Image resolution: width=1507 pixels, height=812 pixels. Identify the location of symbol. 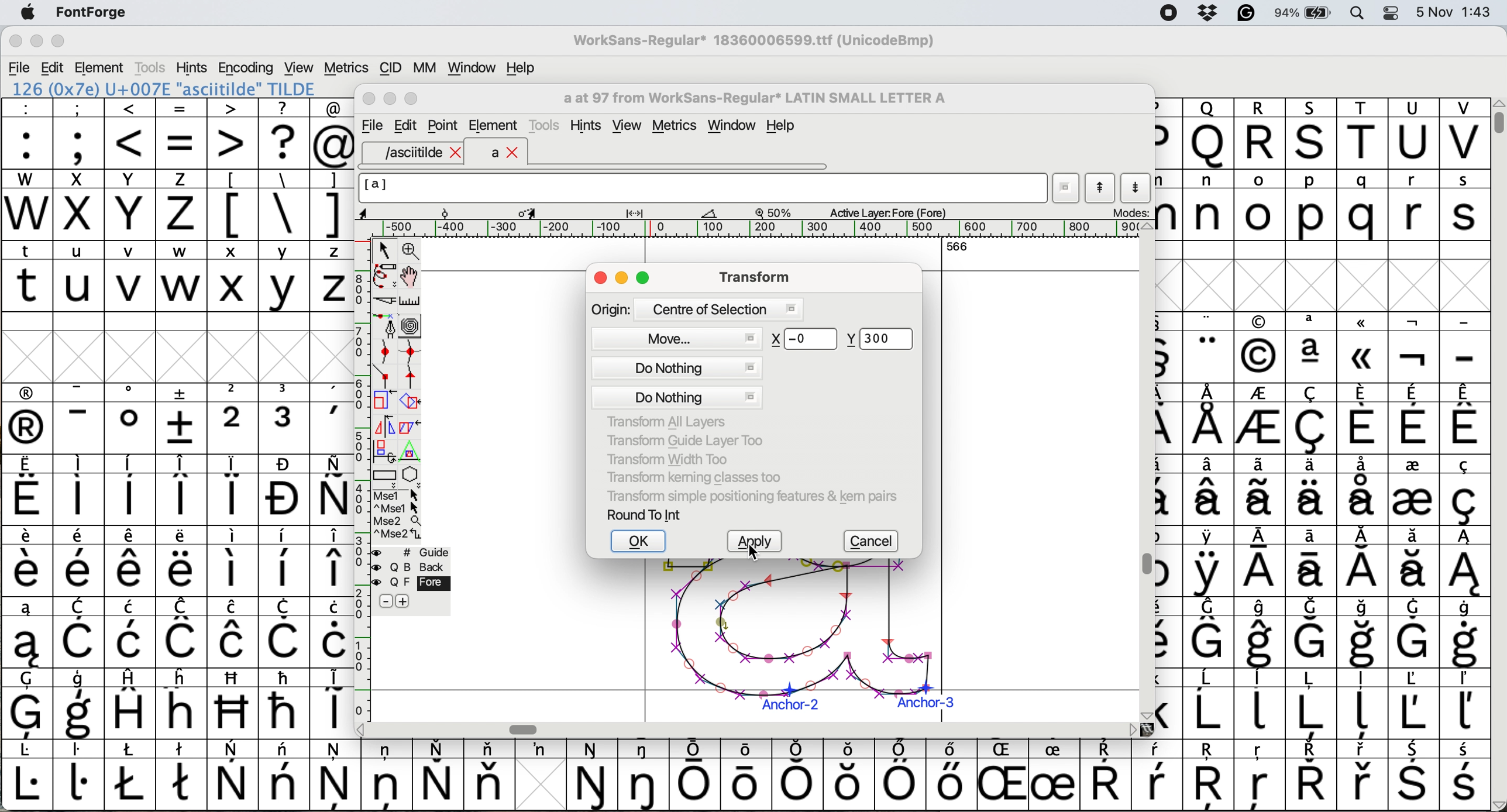
(1412, 703).